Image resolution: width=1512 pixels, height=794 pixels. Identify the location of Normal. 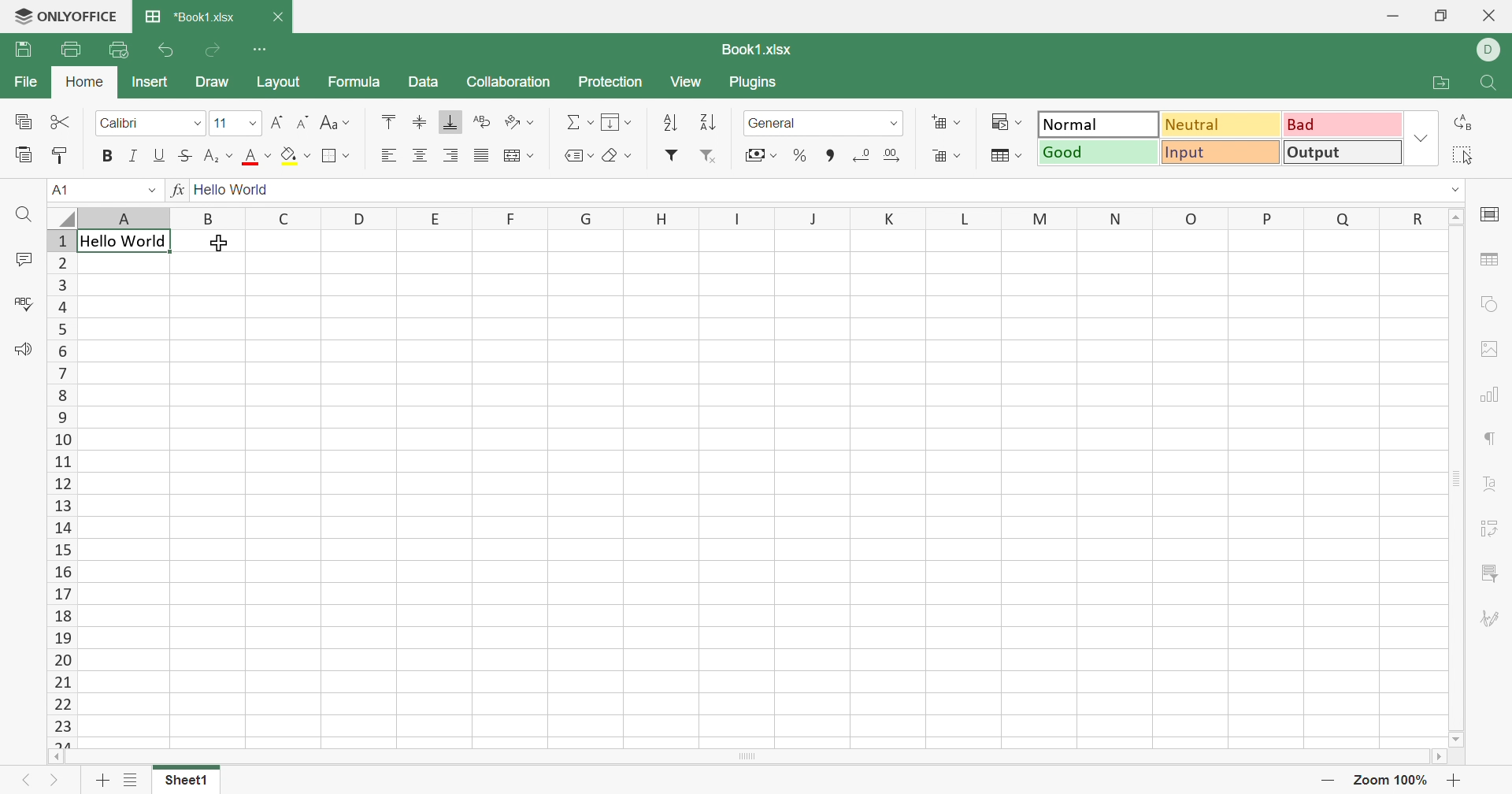
(1100, 124).